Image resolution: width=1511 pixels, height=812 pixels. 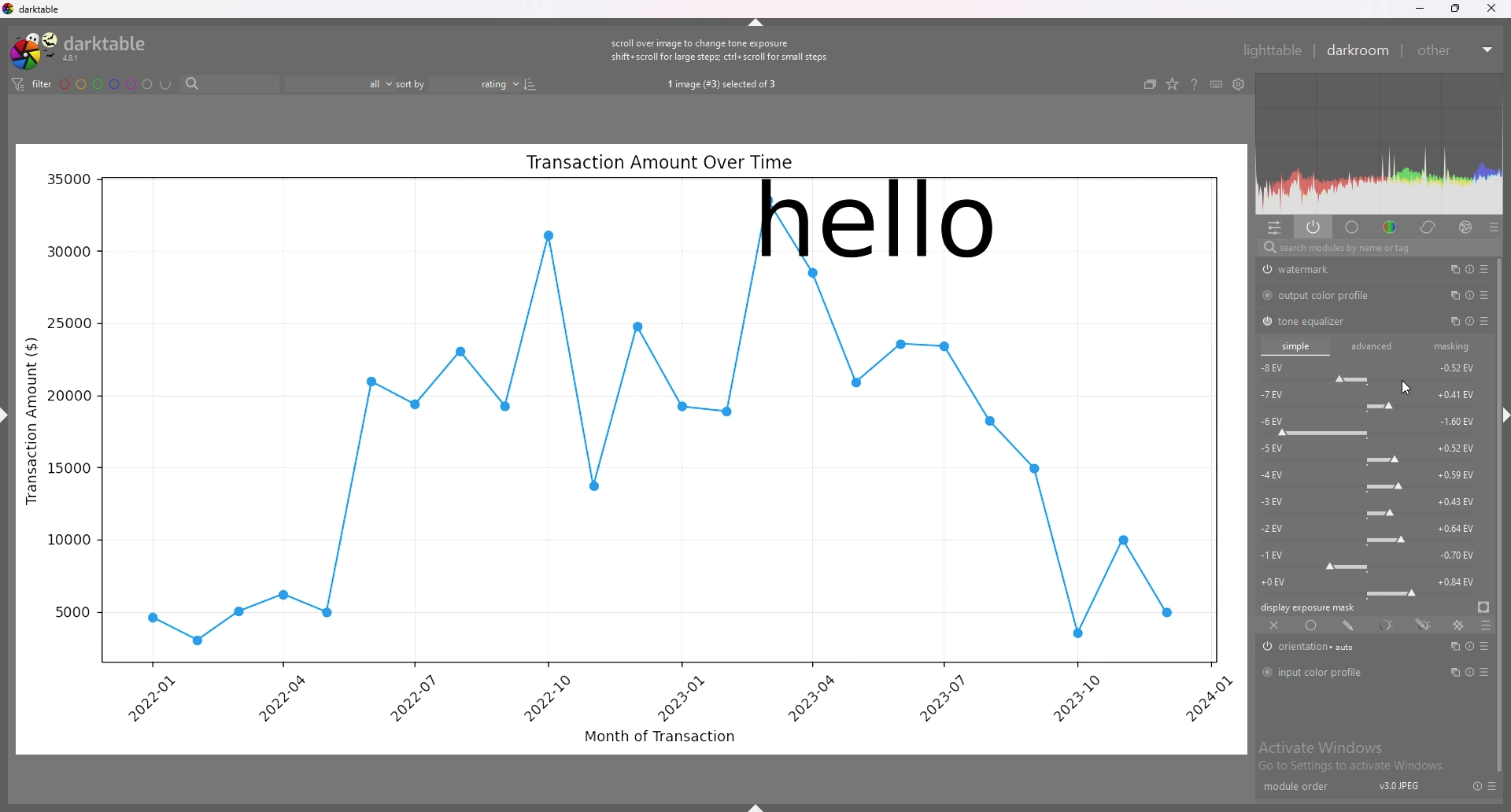 I want to click on -6 EV force, so click(x=1372, y=426).